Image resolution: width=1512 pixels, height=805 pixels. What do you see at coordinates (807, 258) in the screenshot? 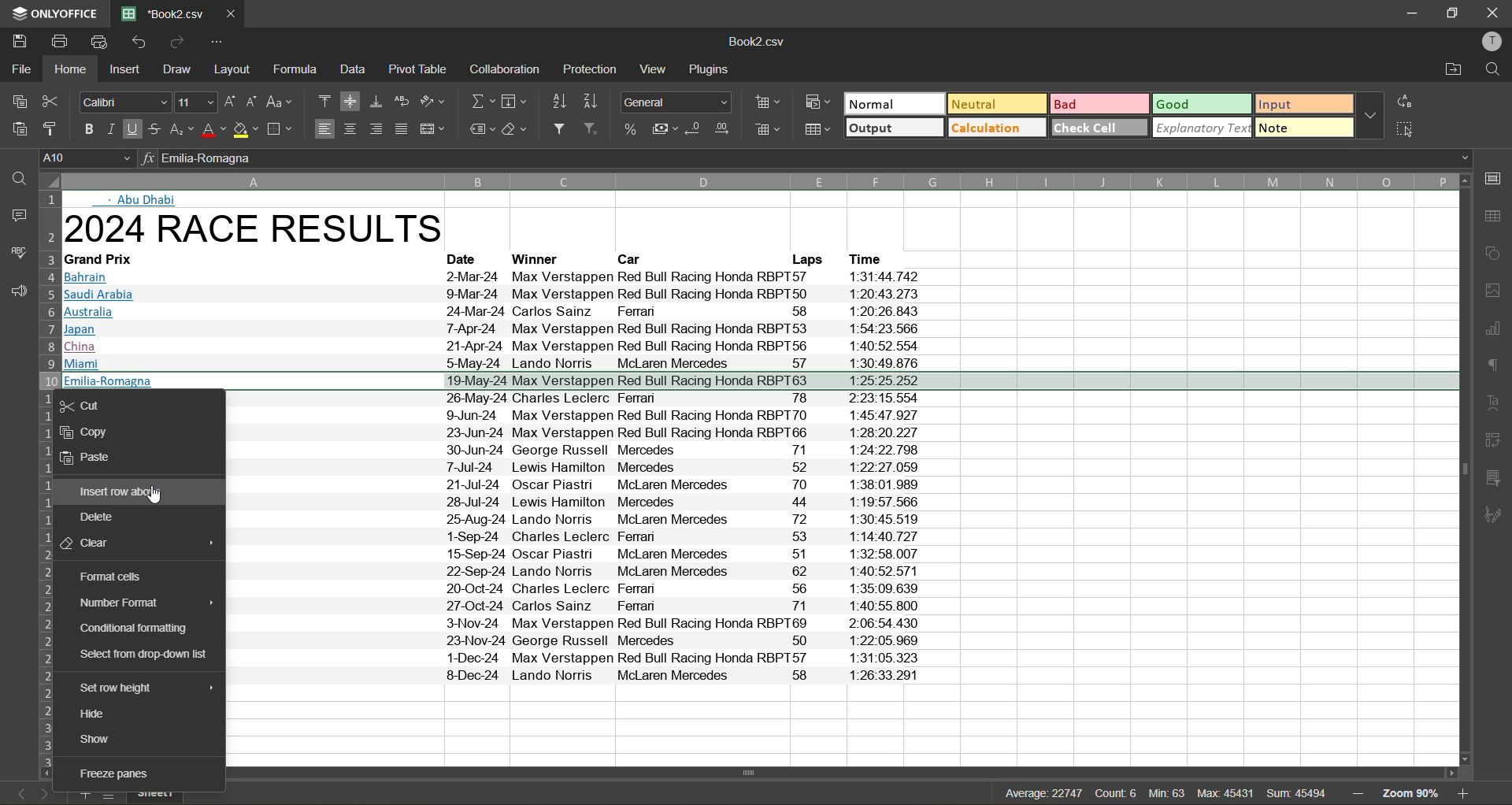
I see `Laps` at bounding box center [807, 258].